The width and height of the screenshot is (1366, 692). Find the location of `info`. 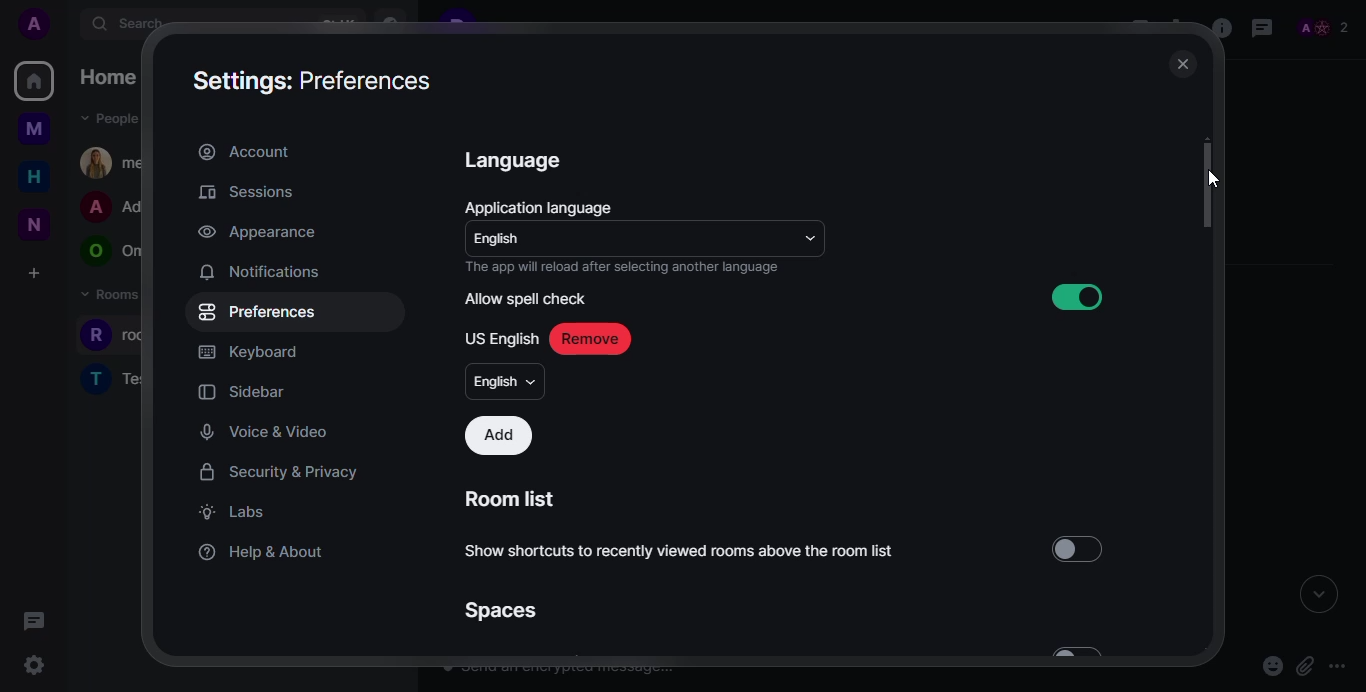

info is located at coordinates (1218, 29).